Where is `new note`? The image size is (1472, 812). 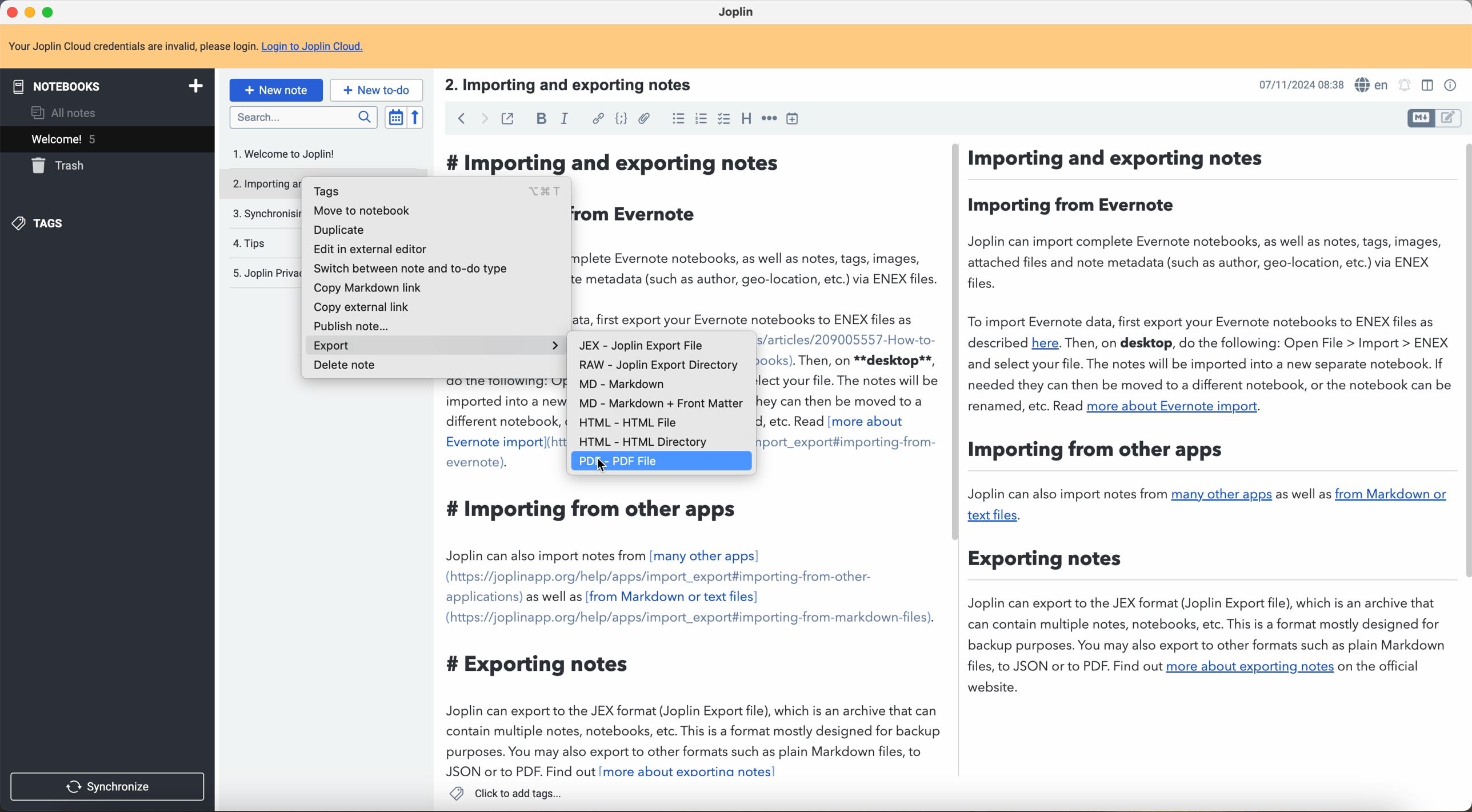 new note is located at coordinates (276, 89).